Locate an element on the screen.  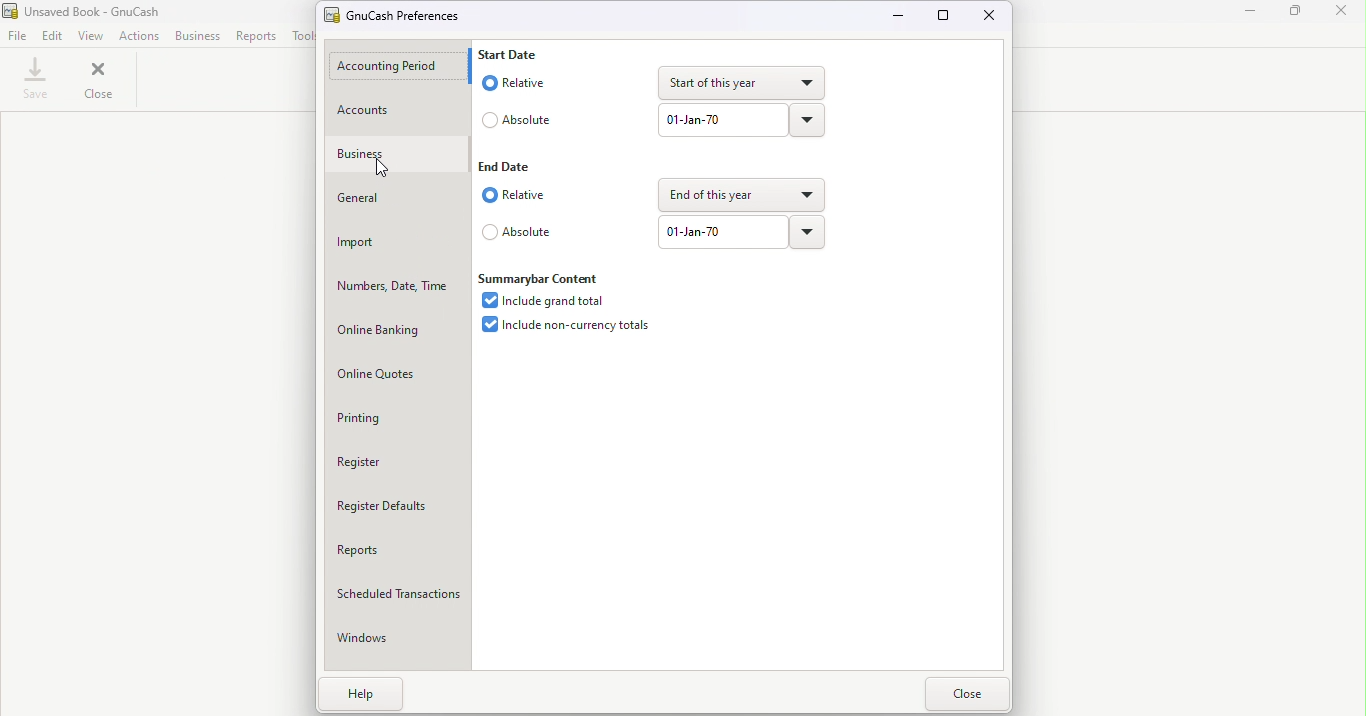
Tools is located at coordinates (301, 36).